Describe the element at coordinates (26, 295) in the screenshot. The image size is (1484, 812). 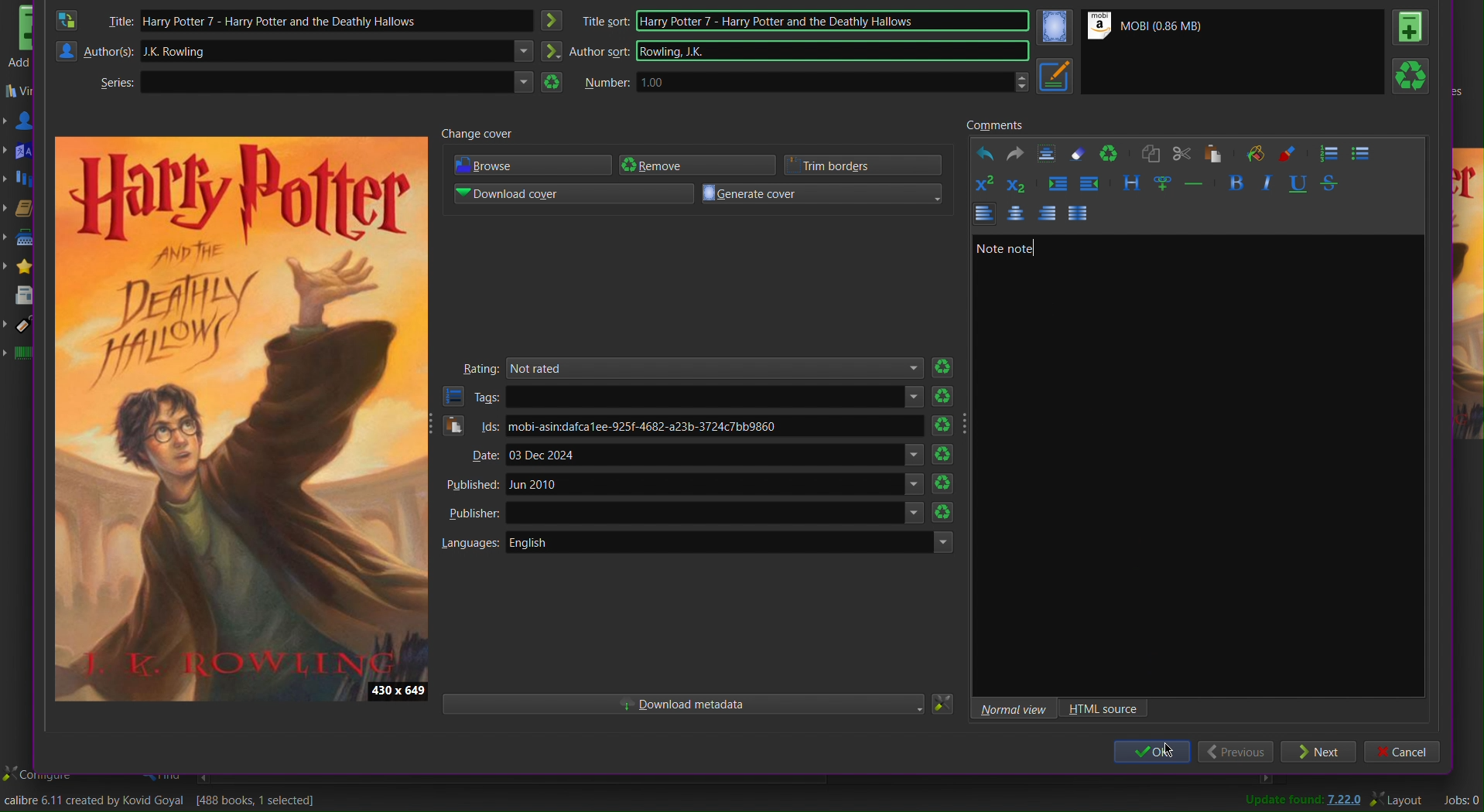
I see `News` at that location.